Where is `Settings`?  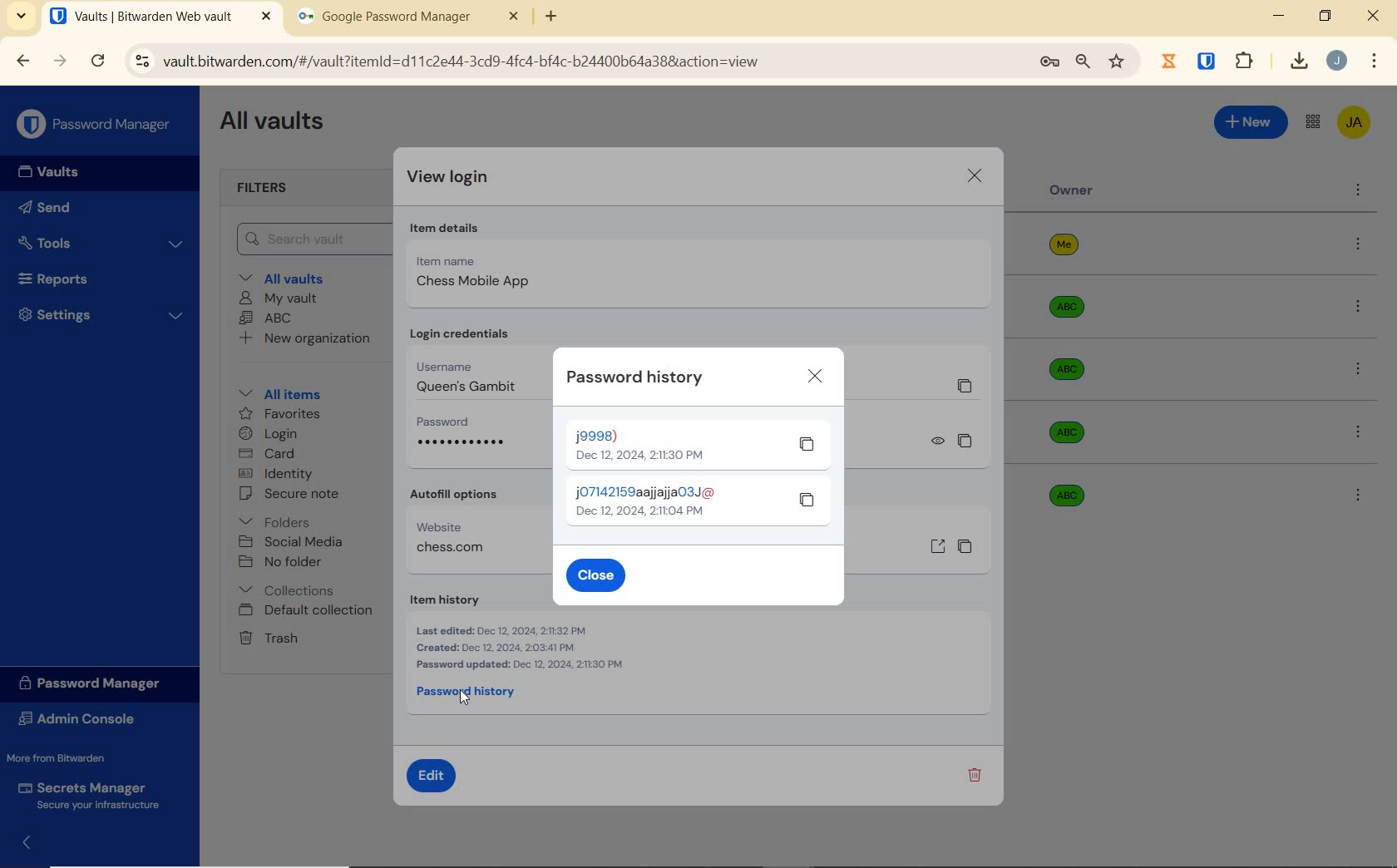
Settings is located at coordinates (104, 316).